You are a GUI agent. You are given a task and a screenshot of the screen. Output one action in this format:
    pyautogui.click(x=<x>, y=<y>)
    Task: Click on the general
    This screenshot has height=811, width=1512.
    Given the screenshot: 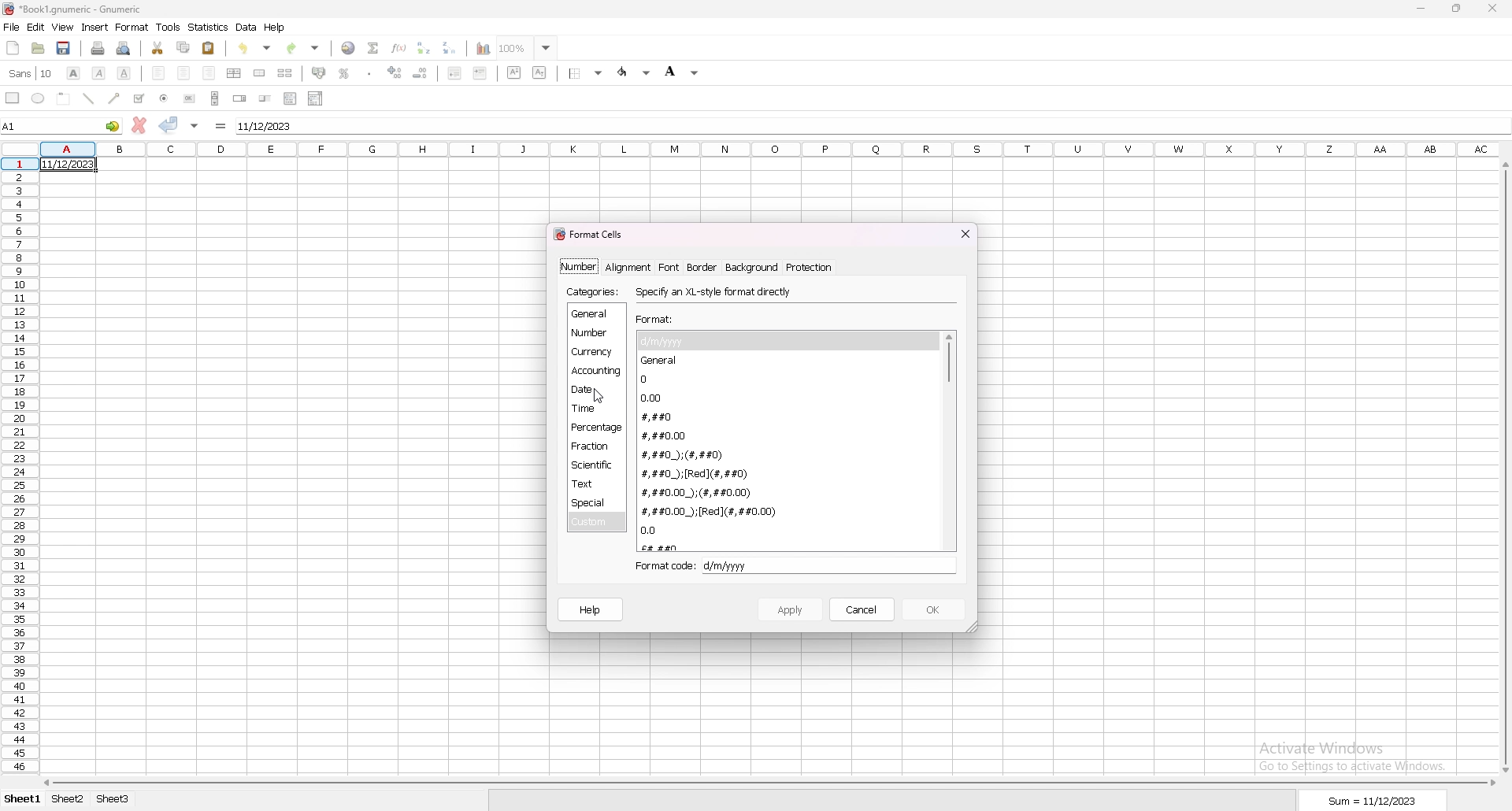 What is the action you would take?
    pyautogui.click(x=667, y=360)
    